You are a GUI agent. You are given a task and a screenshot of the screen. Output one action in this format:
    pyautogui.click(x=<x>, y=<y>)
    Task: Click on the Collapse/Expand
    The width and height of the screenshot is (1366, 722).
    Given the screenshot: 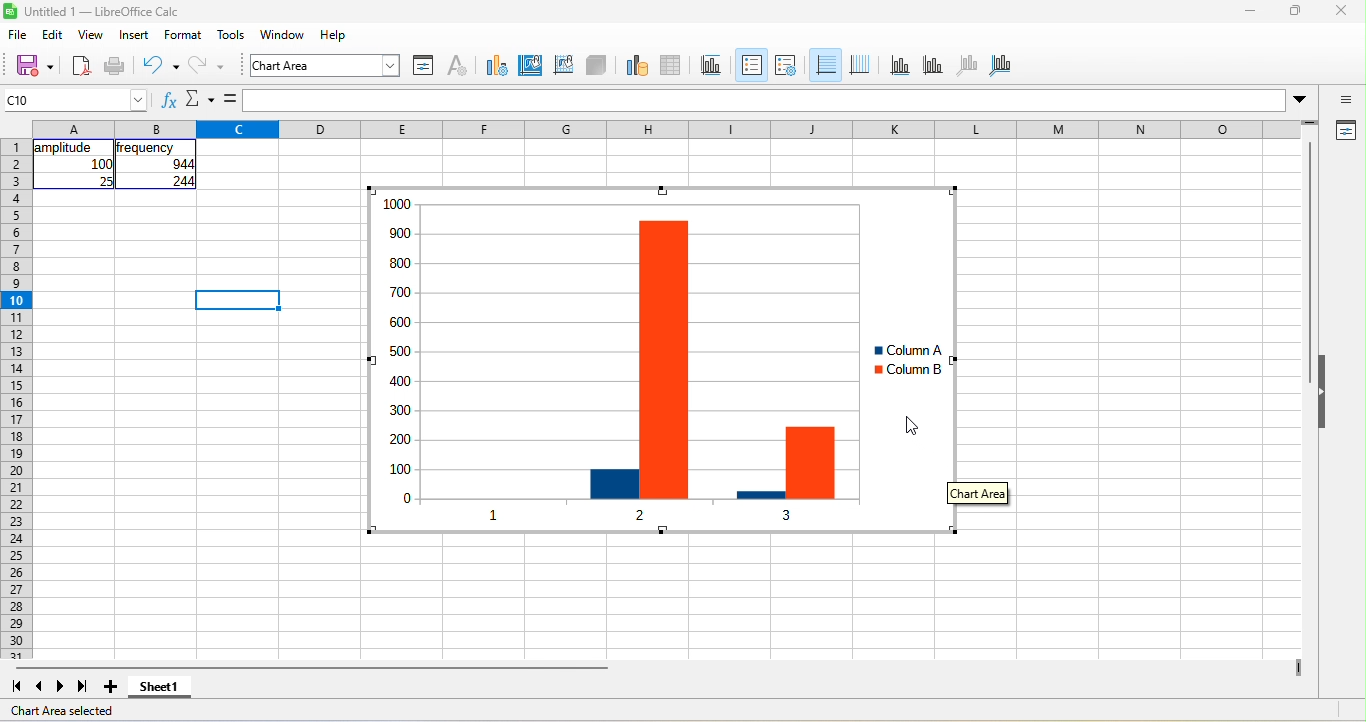 What is the action you would take?
    pyautogui.click(x=1322, y=391)
    